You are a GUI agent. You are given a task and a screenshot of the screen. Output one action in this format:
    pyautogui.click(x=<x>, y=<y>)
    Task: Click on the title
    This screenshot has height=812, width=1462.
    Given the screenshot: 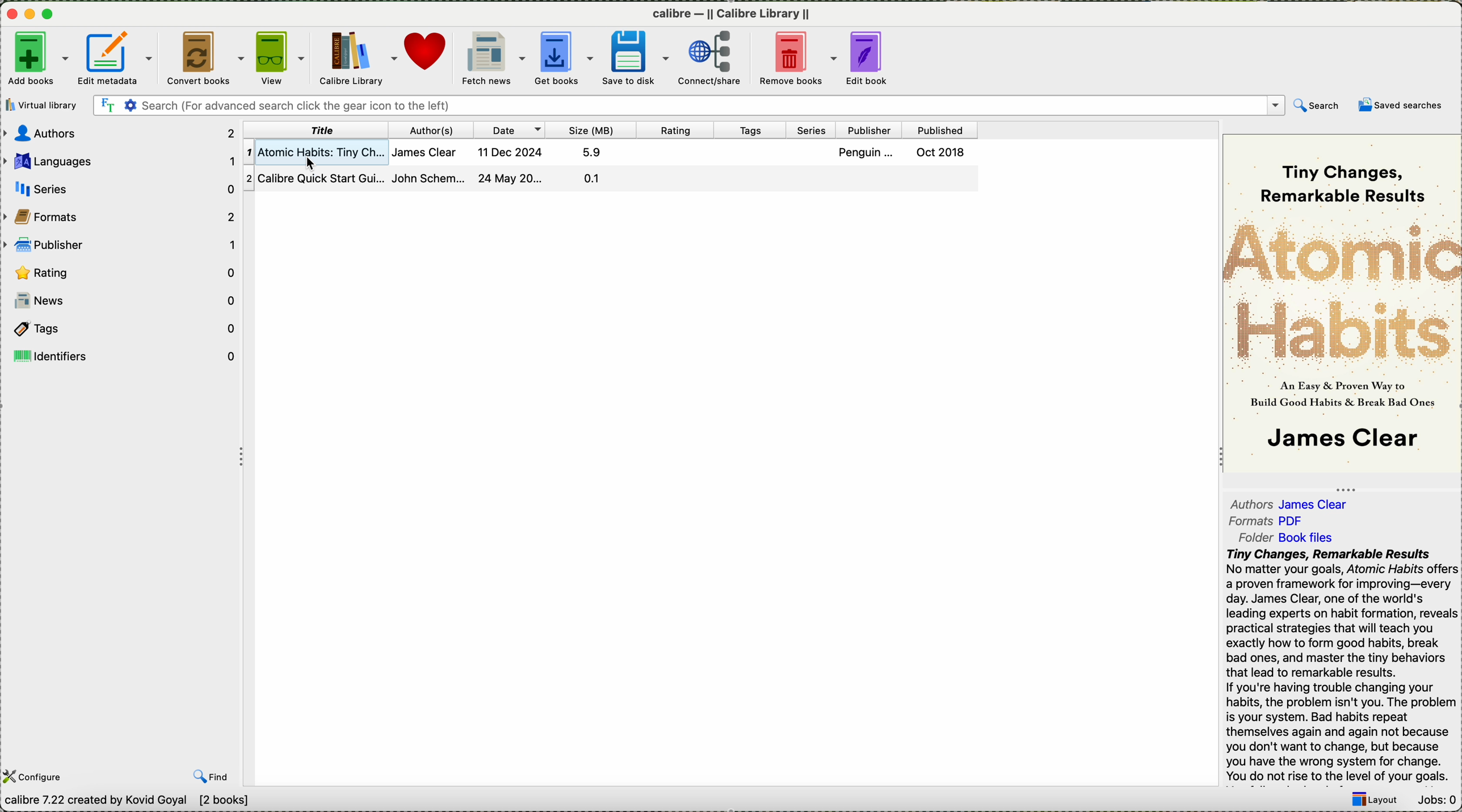 What is the action you would take?
    pyautogui.click(x=315, y=130)
    